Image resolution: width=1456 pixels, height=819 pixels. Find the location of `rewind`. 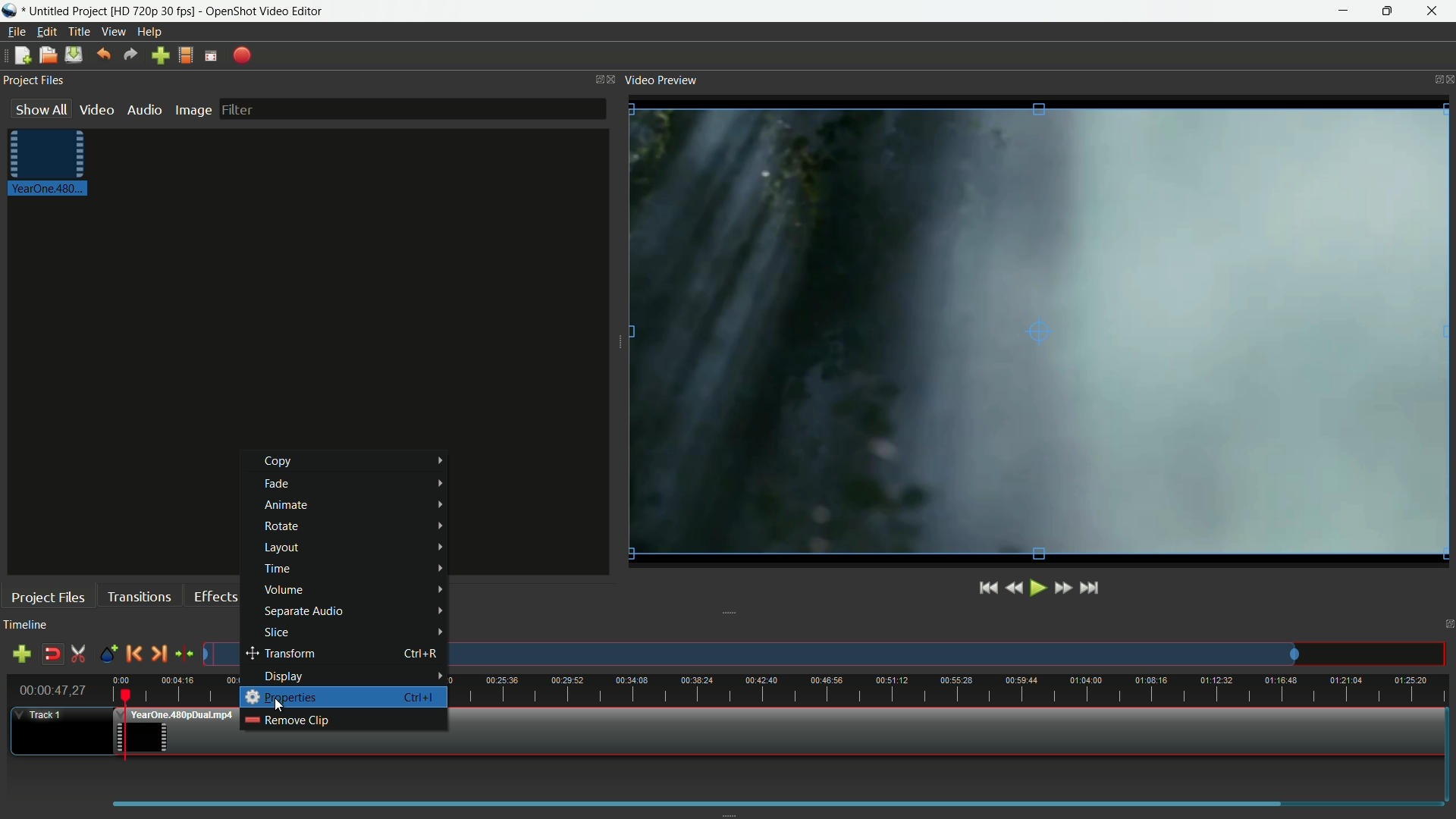

rewind is located at coordinates (1015, 588).